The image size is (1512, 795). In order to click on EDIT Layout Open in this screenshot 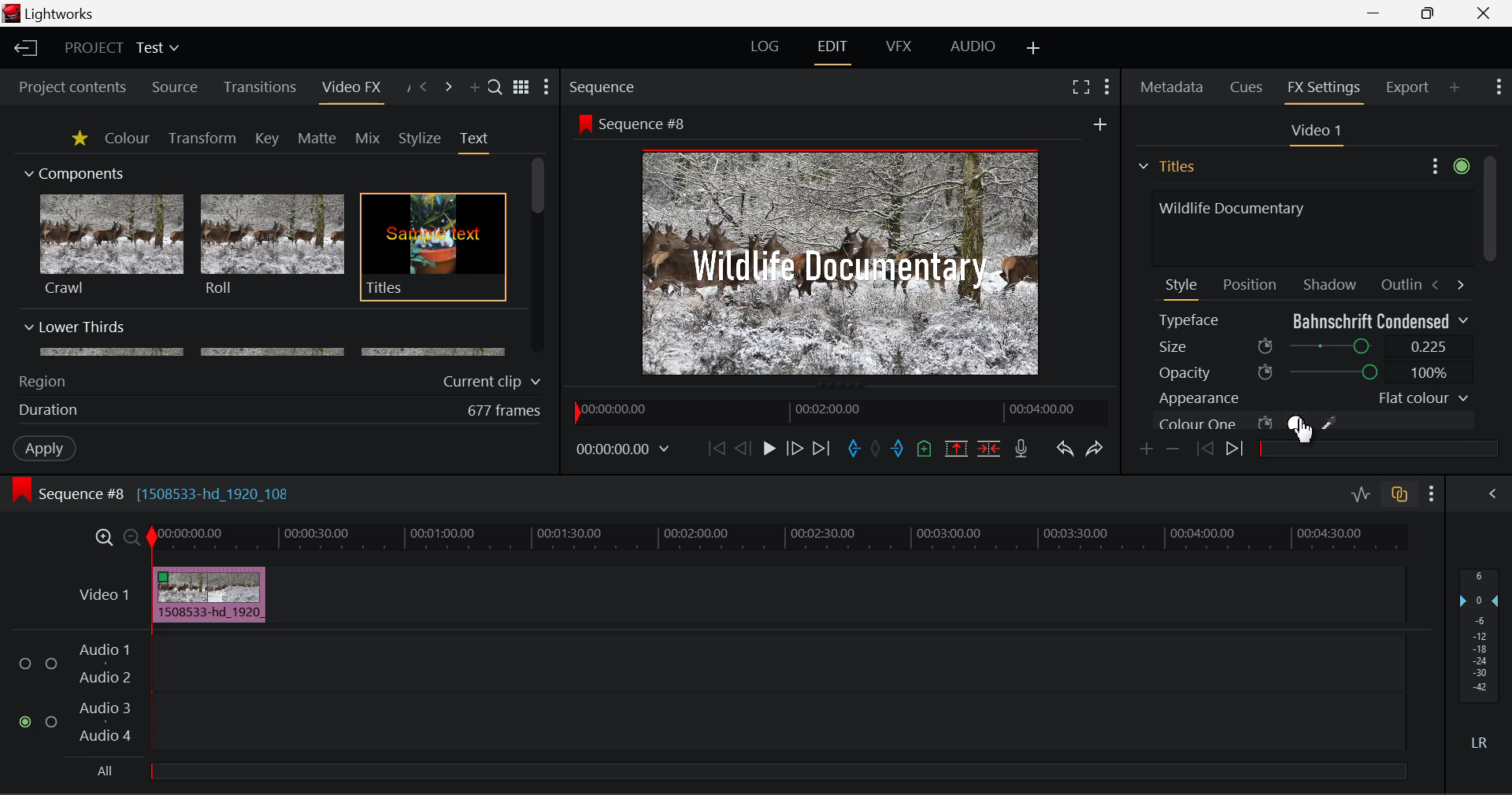, I will do `click(836, 52)`.